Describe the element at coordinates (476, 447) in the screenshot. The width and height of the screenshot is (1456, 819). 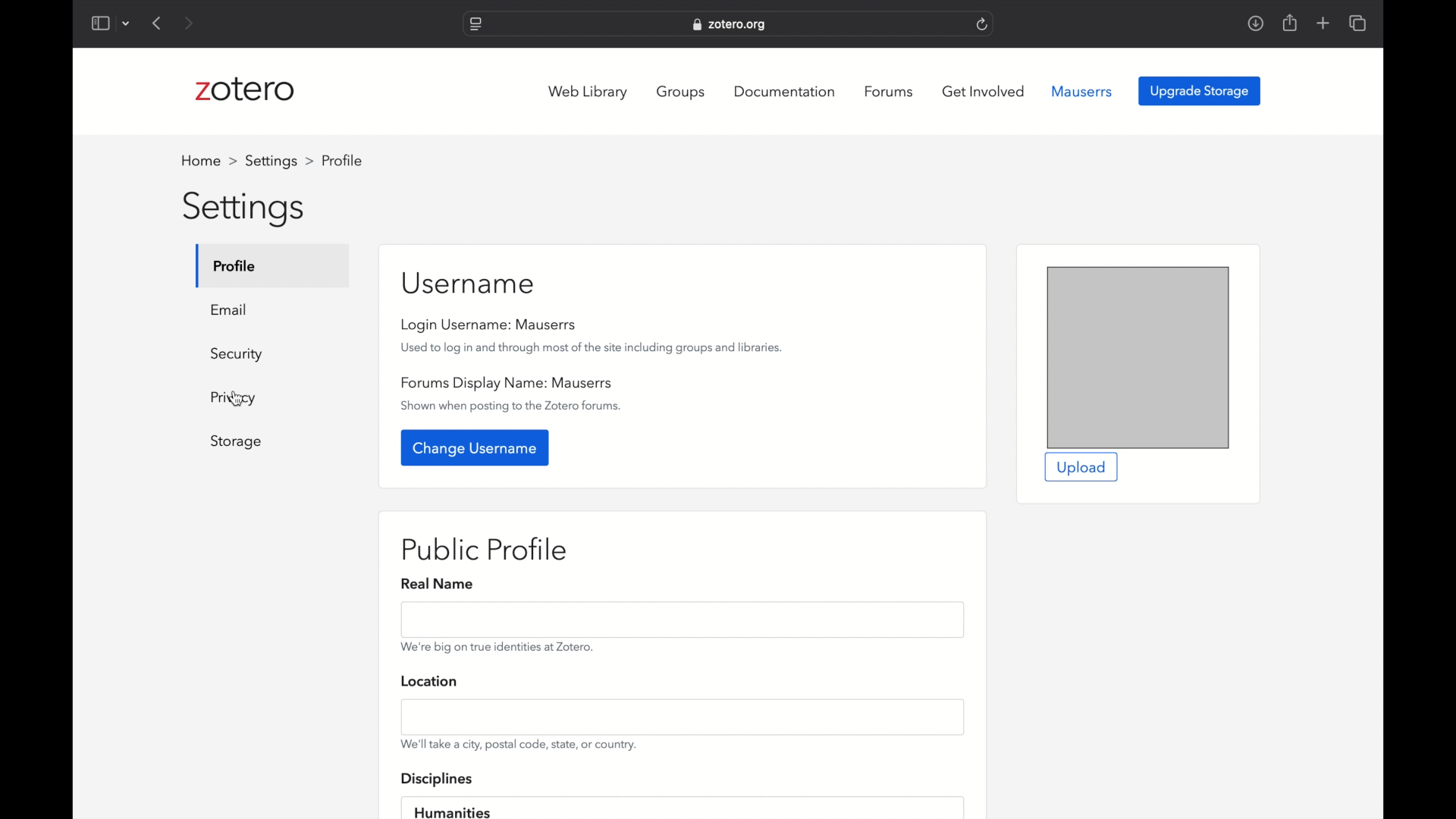
I see `change username` at that location.